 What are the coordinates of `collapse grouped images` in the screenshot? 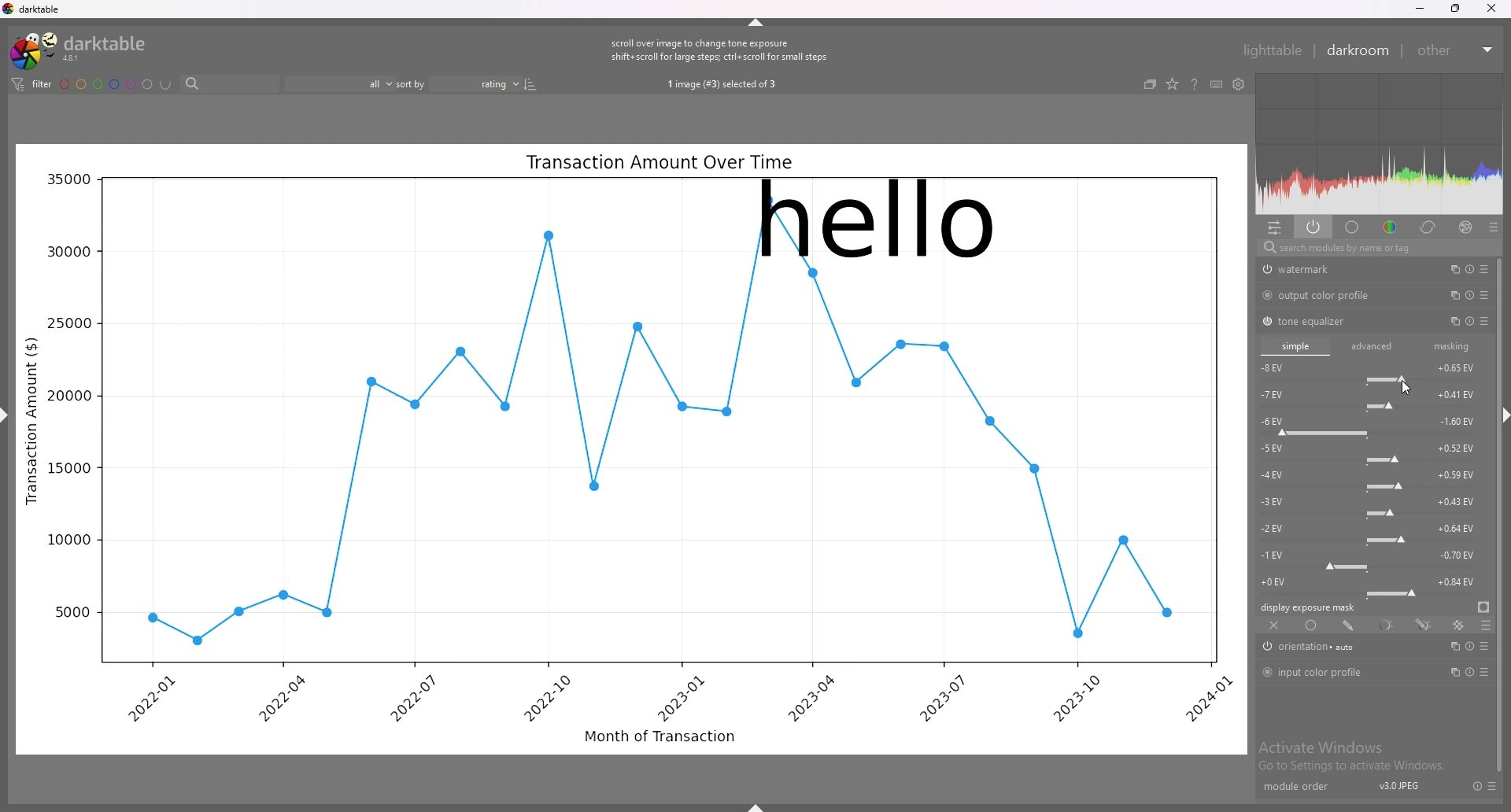 It's located at (1150, 84).